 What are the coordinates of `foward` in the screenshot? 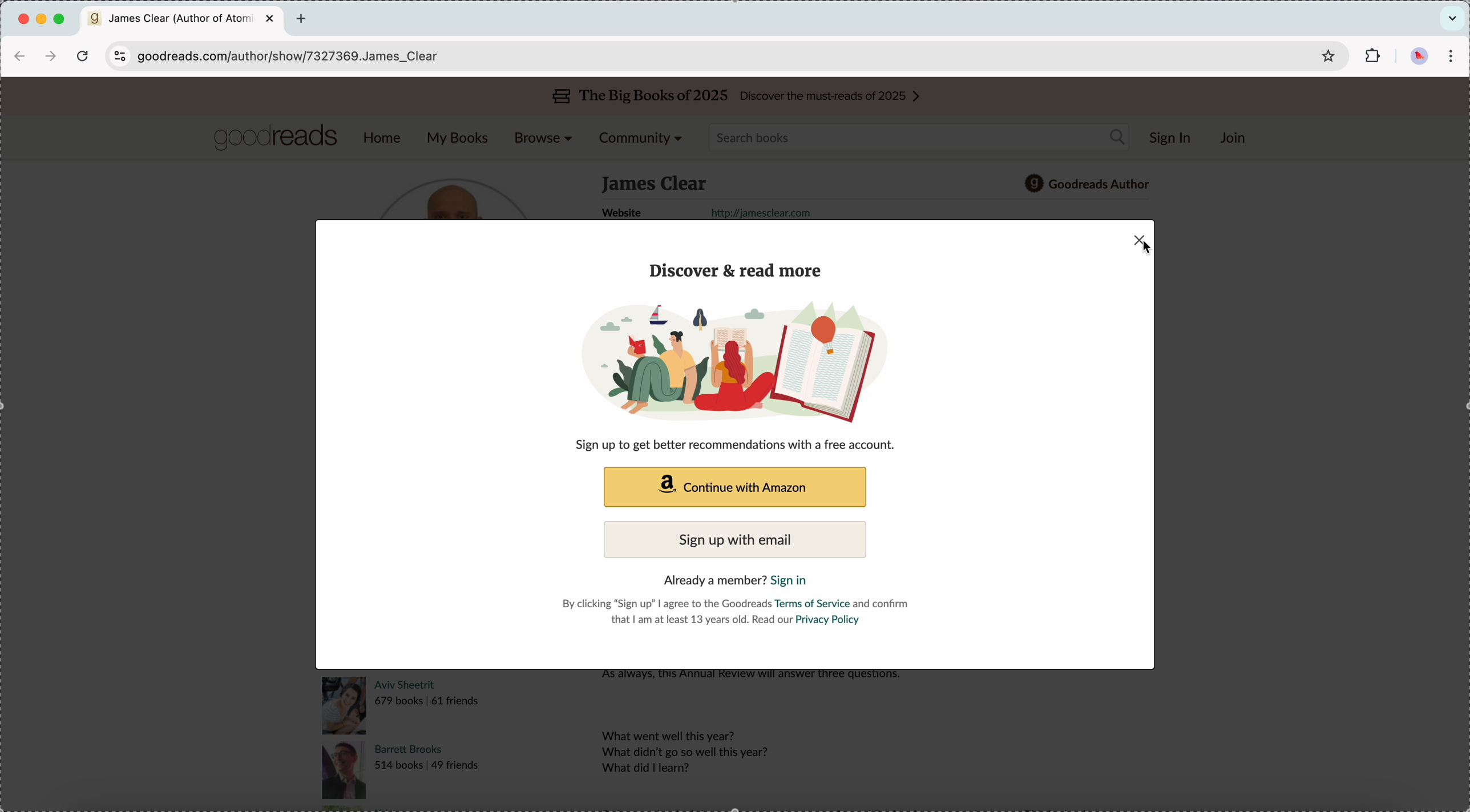 It's located at (51, 57).